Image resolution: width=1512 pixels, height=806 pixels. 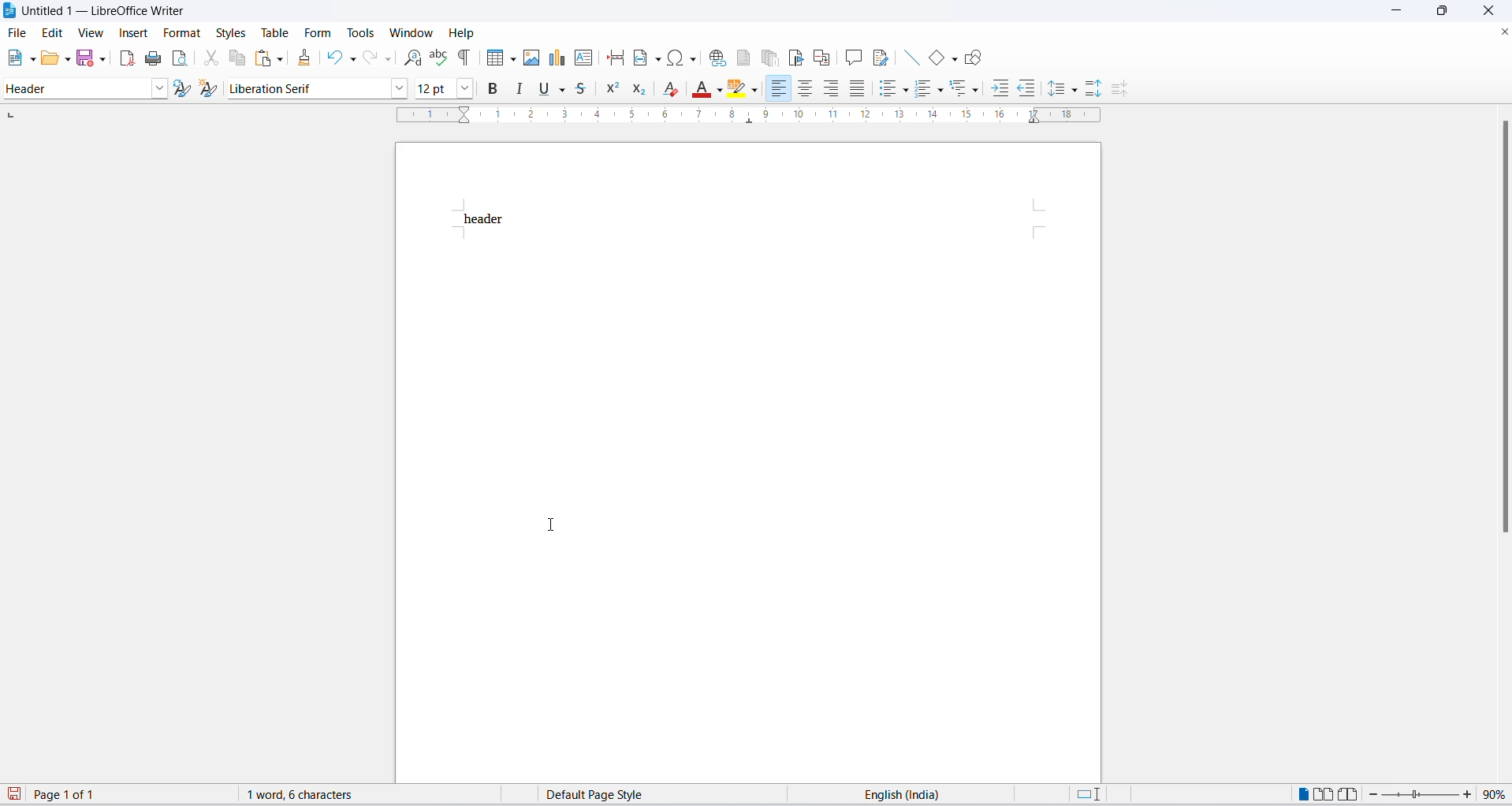 What do you see at coordinates (362, 31) in the screenshot?
I see `tools` at bounding box center [362, 31].